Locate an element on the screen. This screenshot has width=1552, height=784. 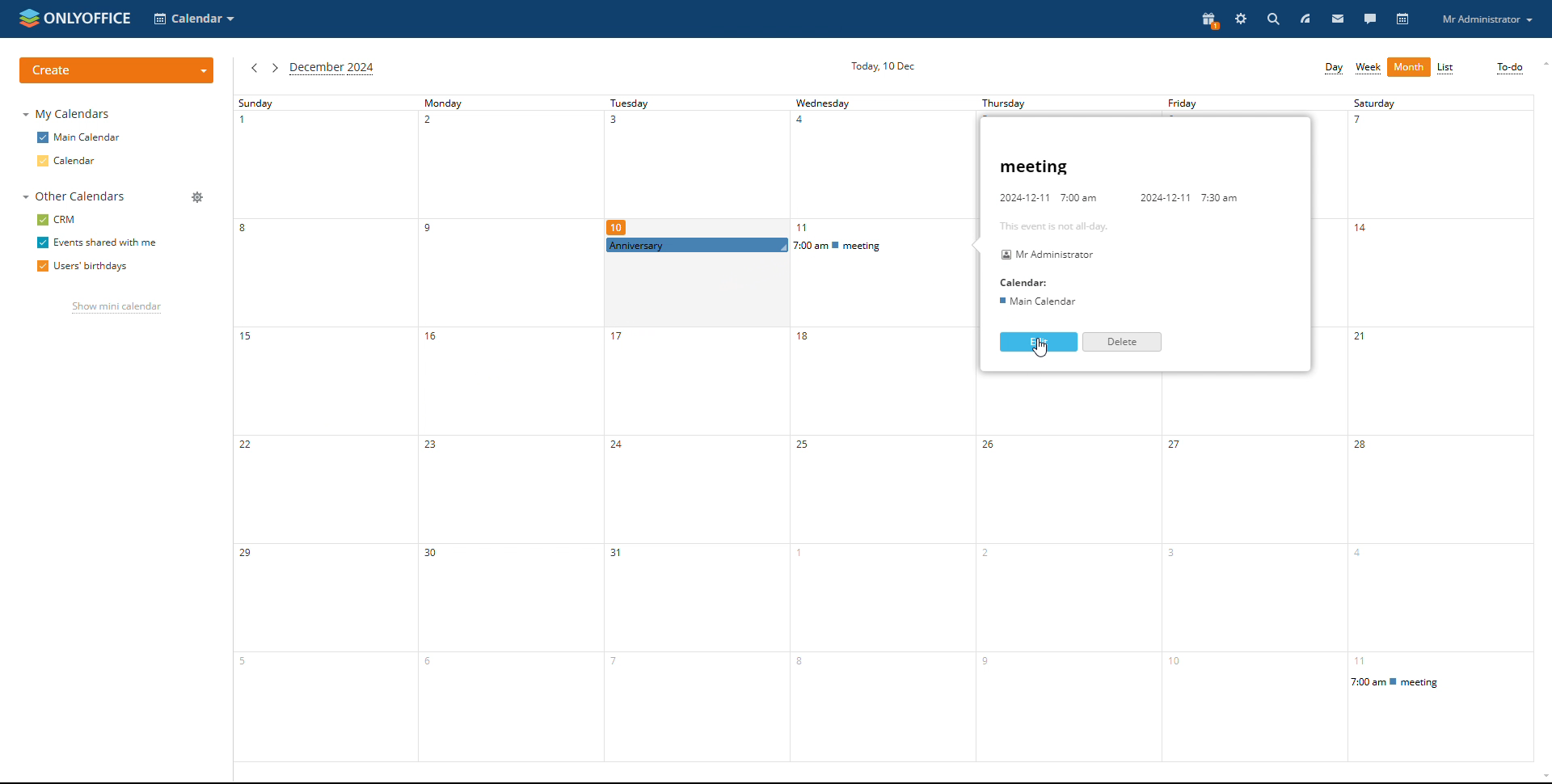
profile is located at coordinates (1486, 19).